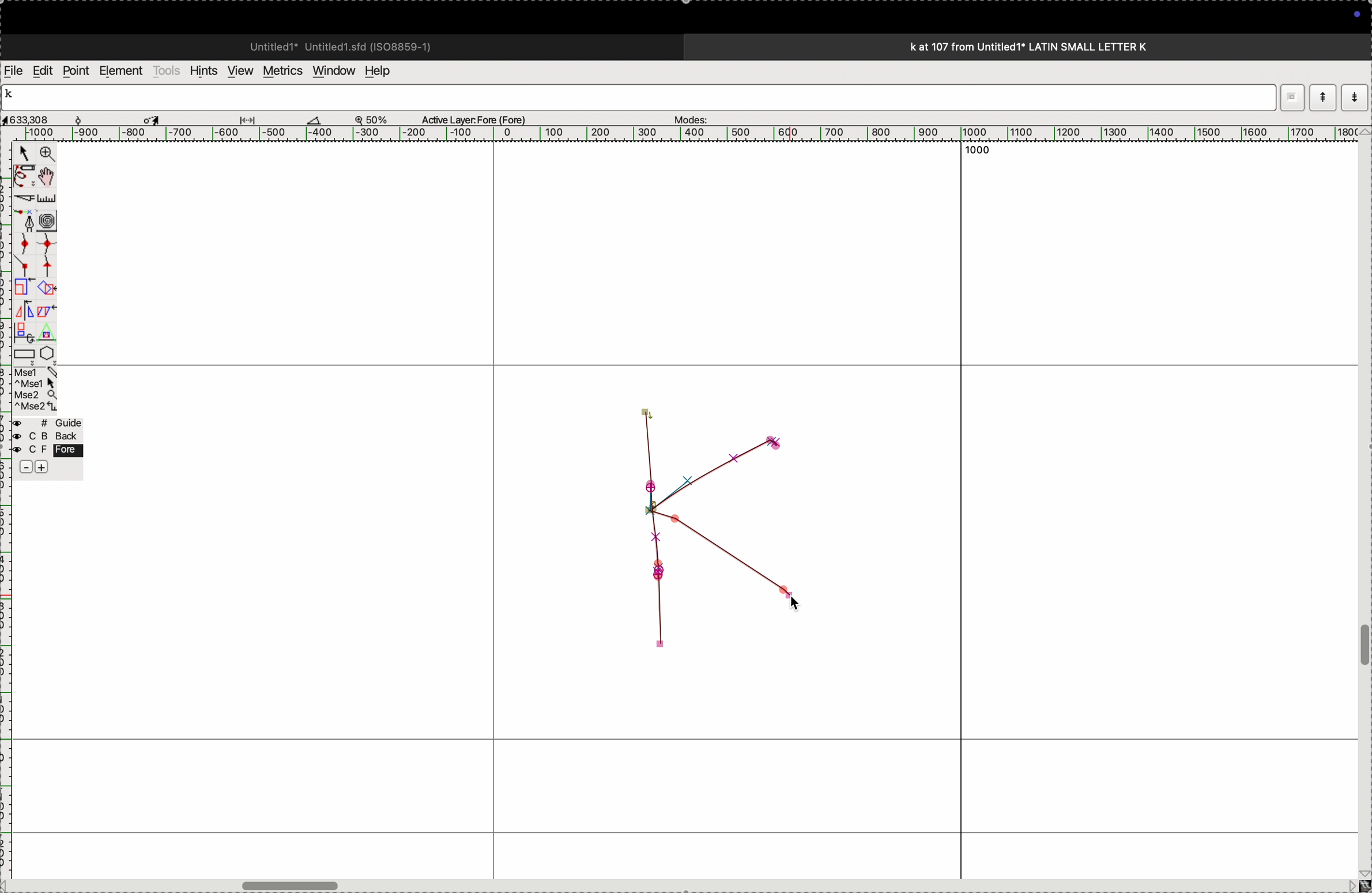 Image resolution: width=1372 pixels, height=893 pixels. Describe the element at coordinates (24, 155) in the screenshot. I see `cursor` at that location.